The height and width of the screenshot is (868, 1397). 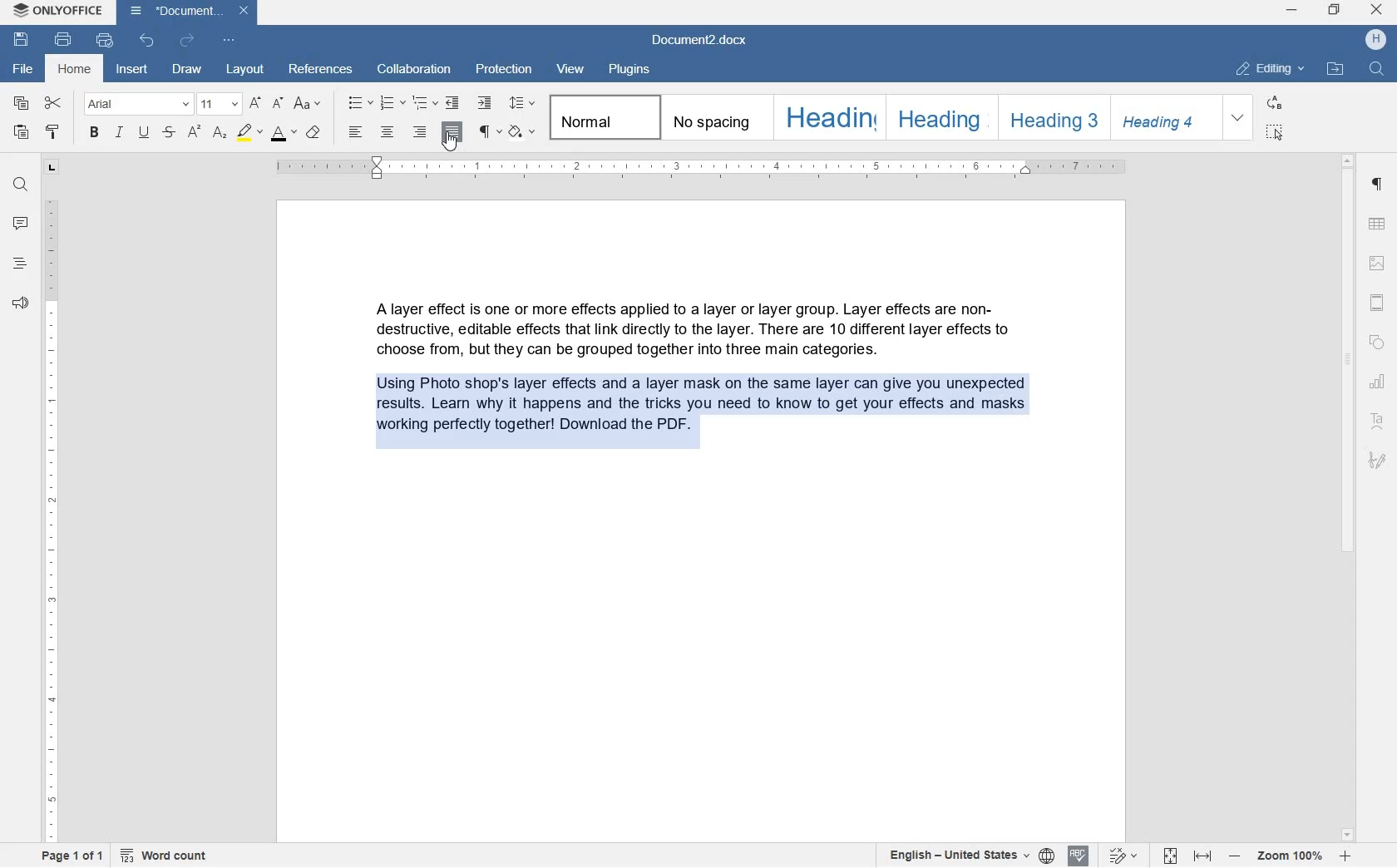 What do you see at coordinates (359, 102) in the screenshot?
I see `BULLETS` at bounding box center [359, 102].